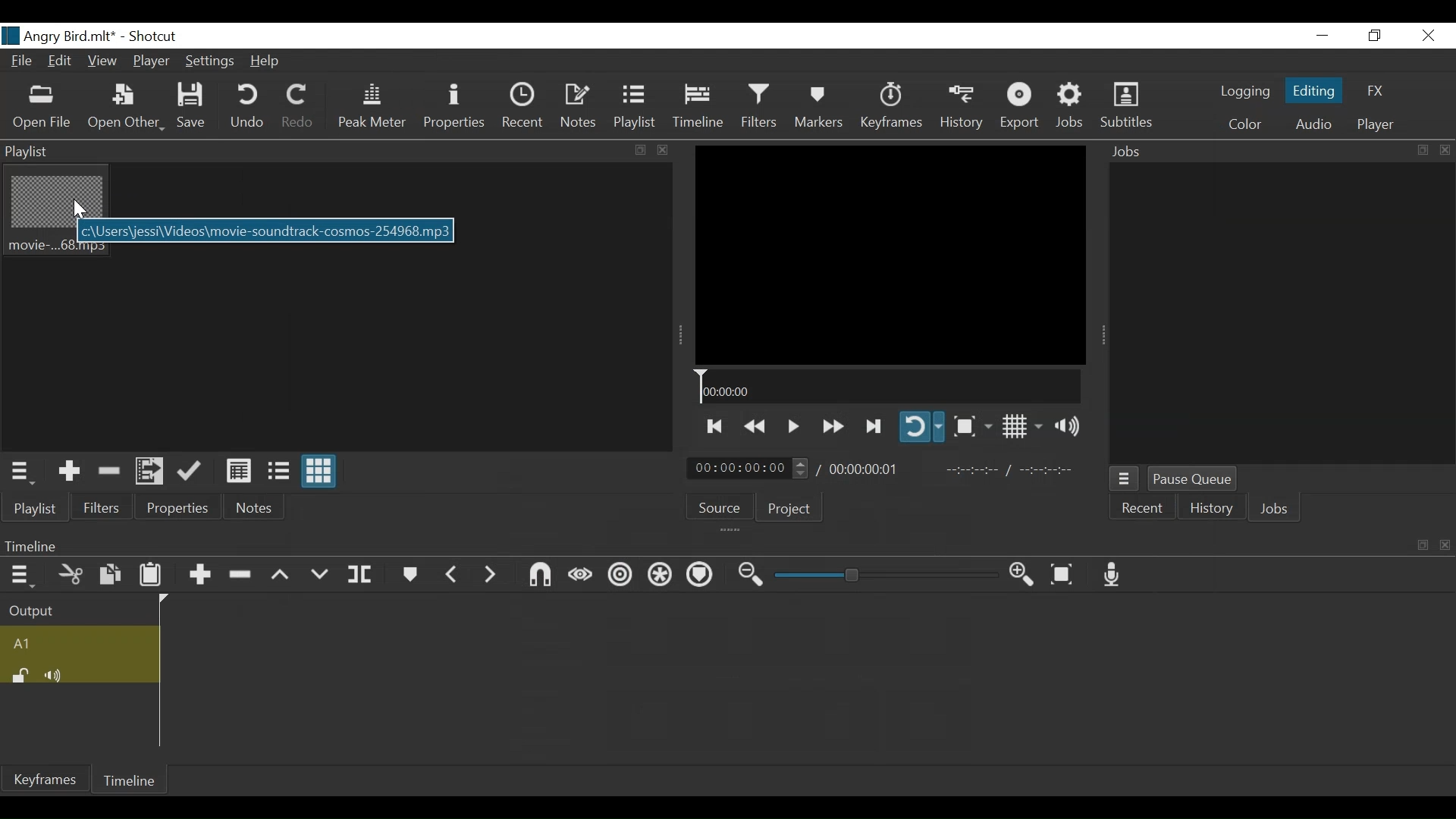  I want to click on Zoom to fit, so click(1064, 574).